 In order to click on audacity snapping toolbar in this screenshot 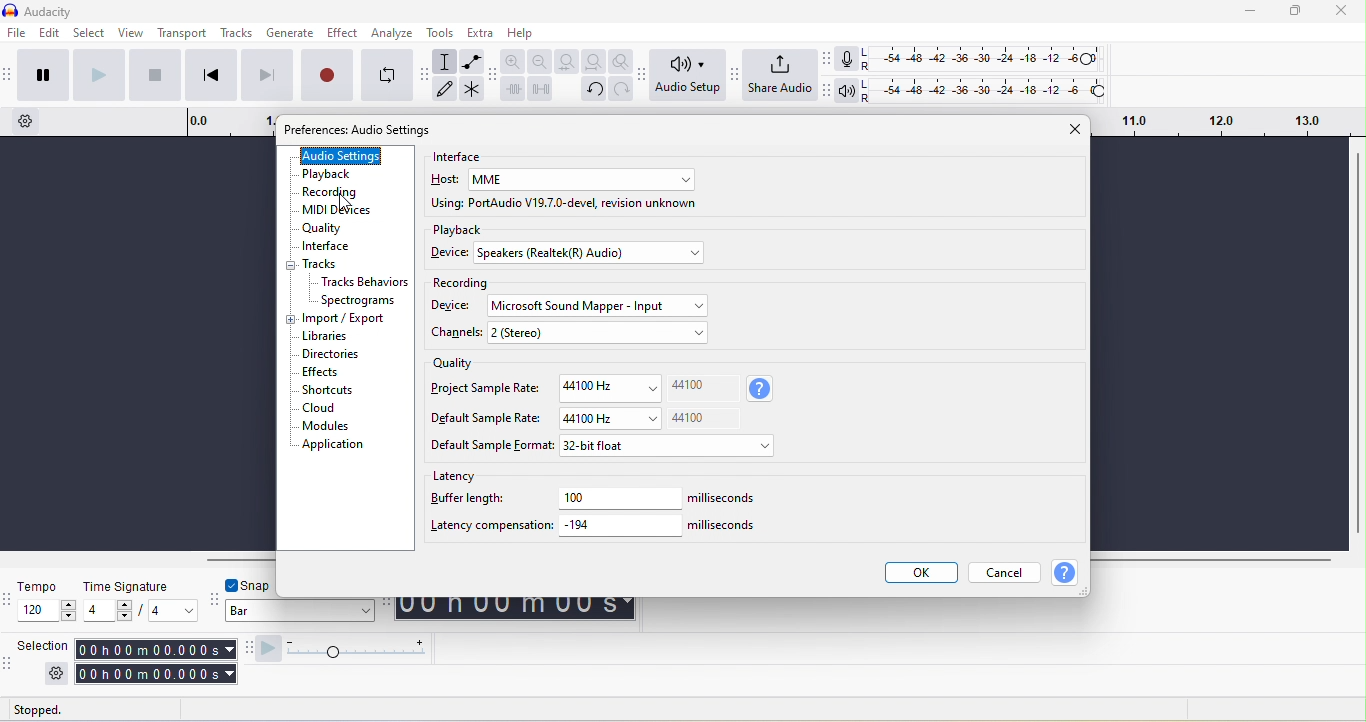, I will do `click(216, 598)`.